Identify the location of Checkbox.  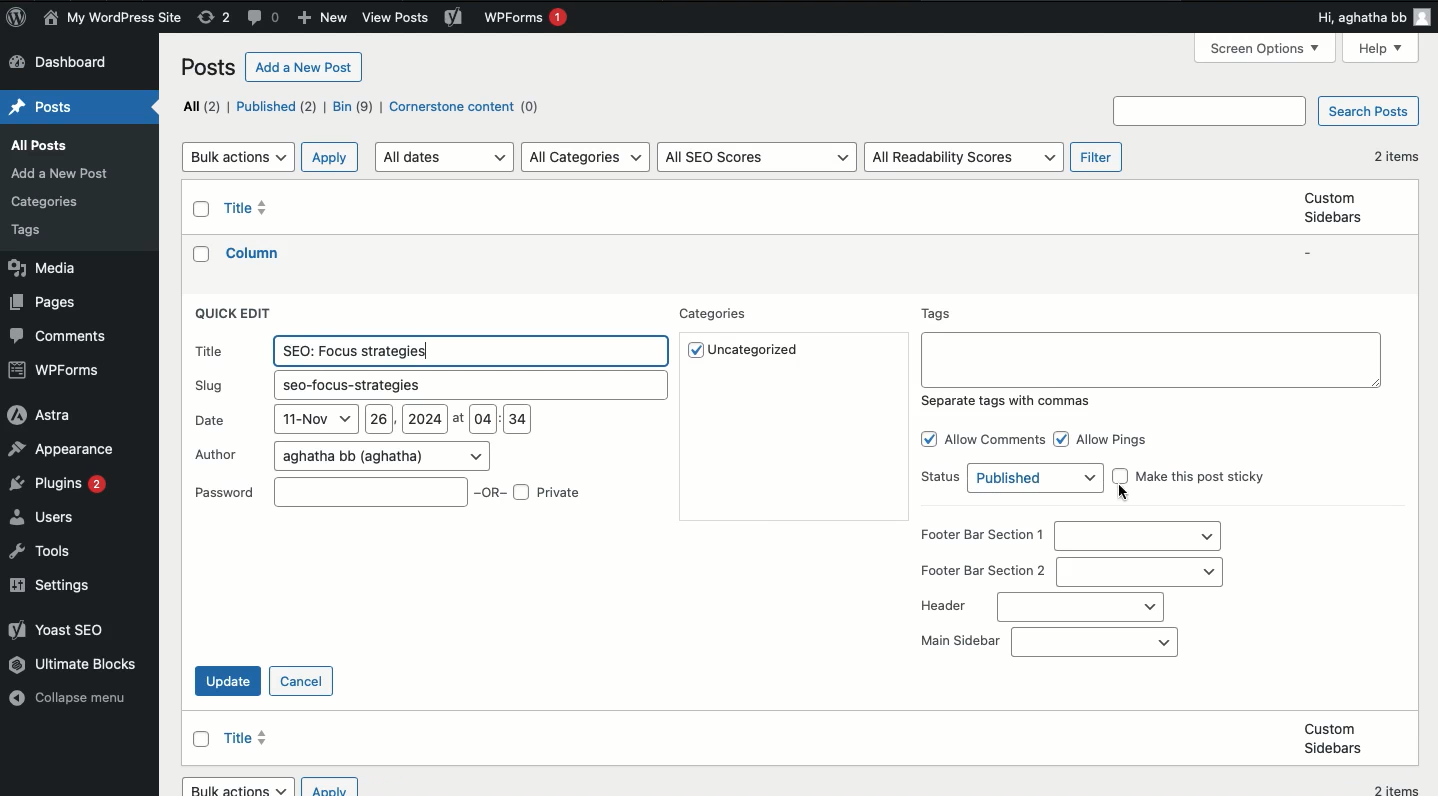
(927, 440).